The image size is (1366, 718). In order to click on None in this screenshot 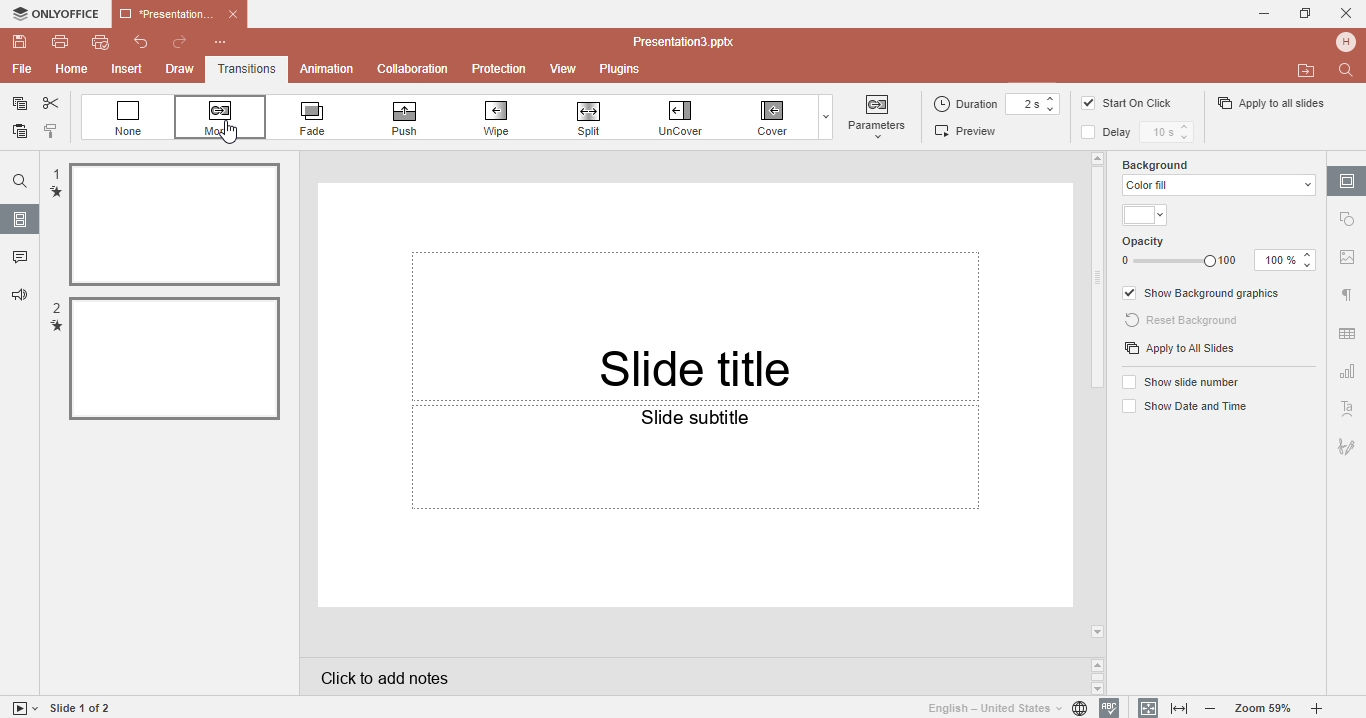, I will do `click(129, 118)`.